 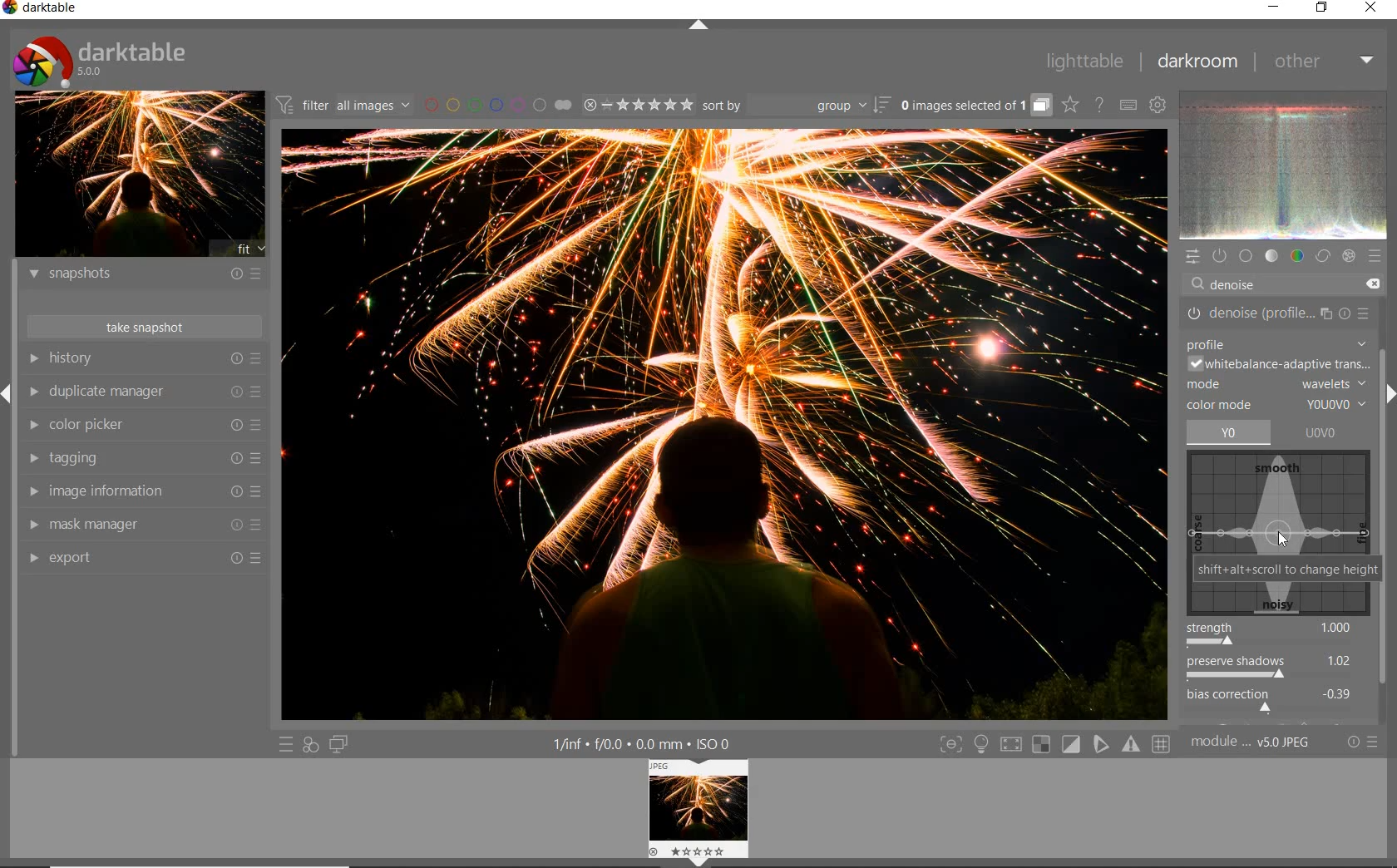 I want to click on take snapshots, so click(x=144, y=328).